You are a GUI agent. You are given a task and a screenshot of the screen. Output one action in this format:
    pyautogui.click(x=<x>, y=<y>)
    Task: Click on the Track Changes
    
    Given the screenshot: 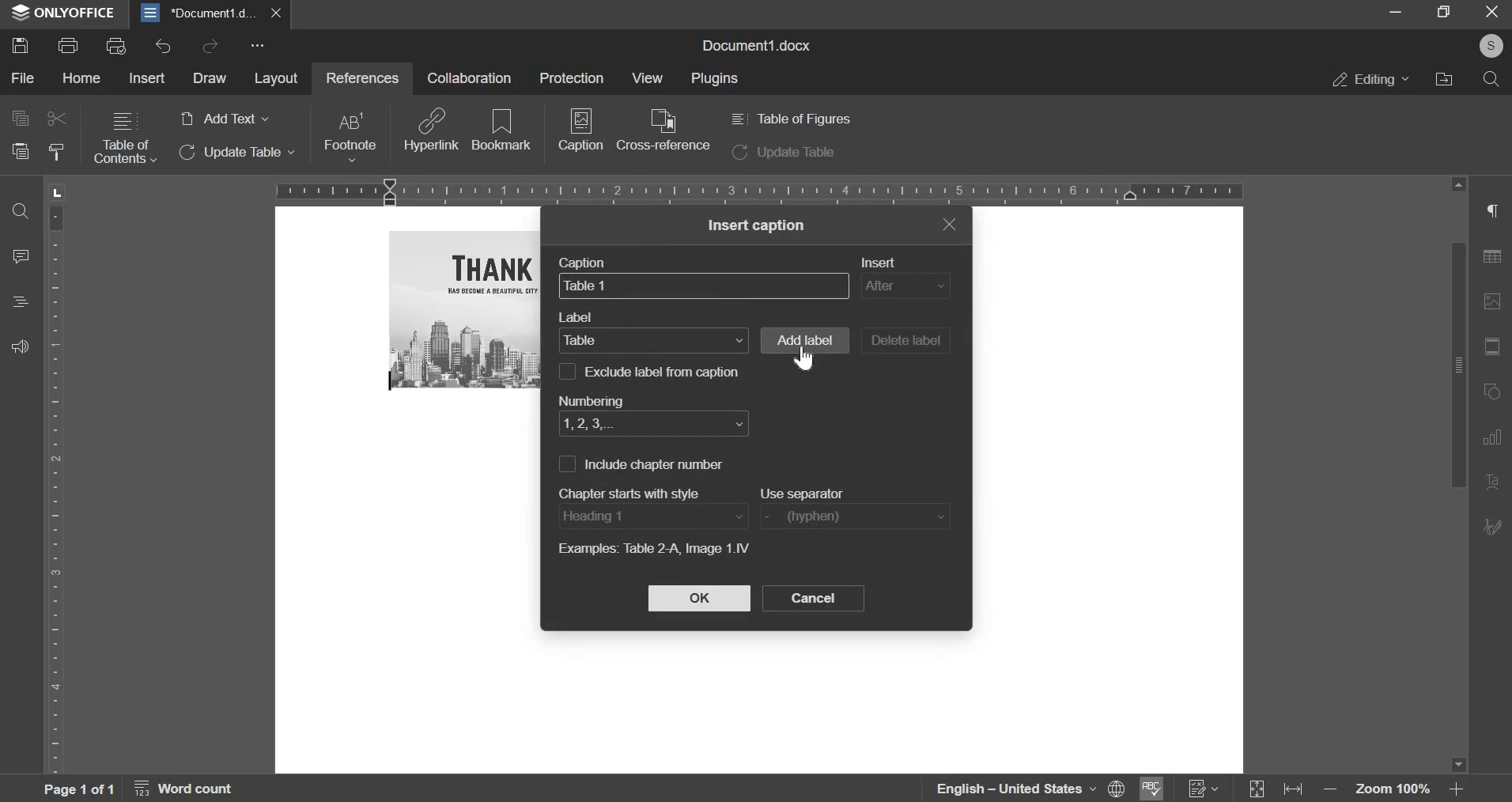 What is the action you would take?
    pyautogui.click(x=1204, y=789)
    